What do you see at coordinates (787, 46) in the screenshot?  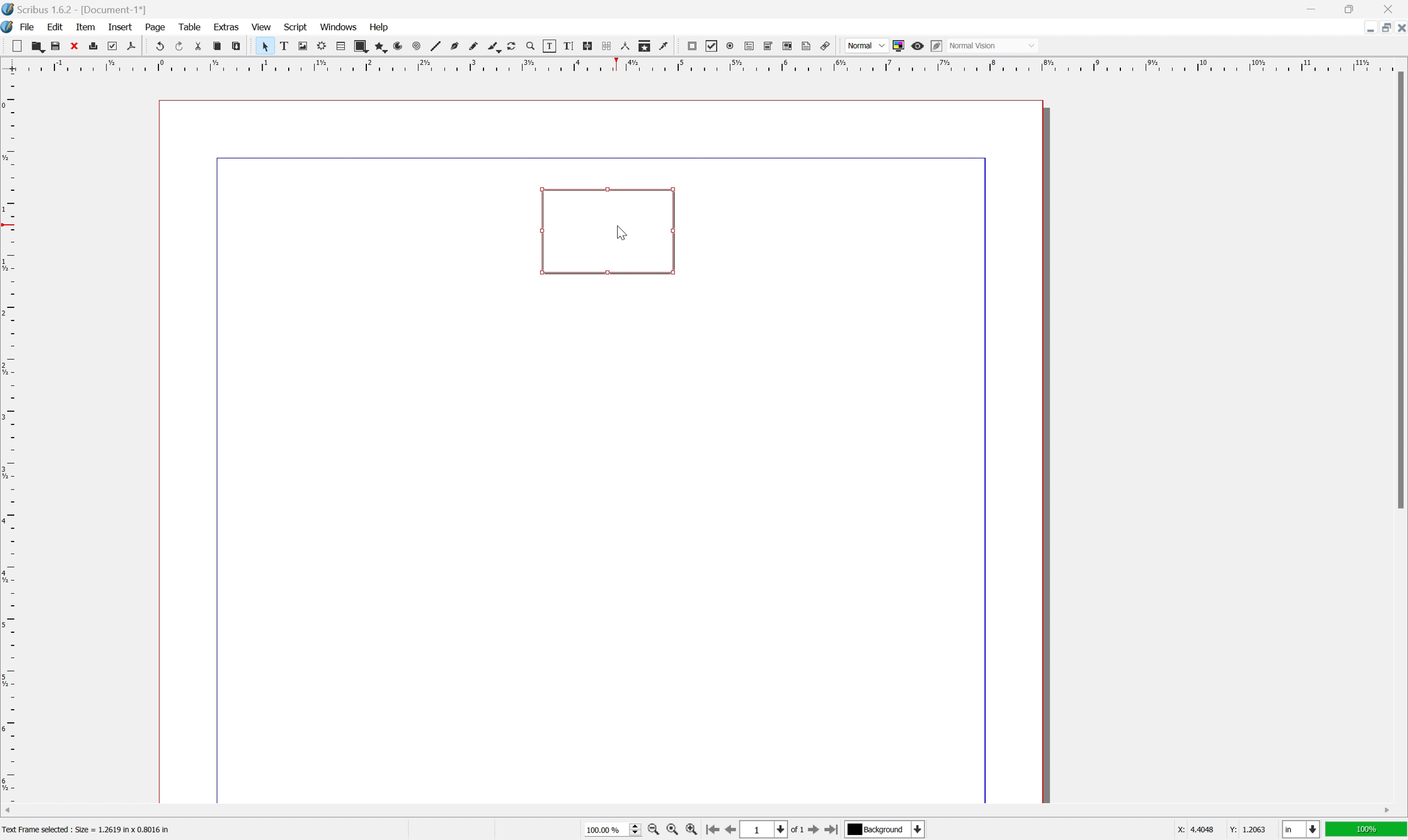 I see `pdf list box` at bounding box center [787, 46].